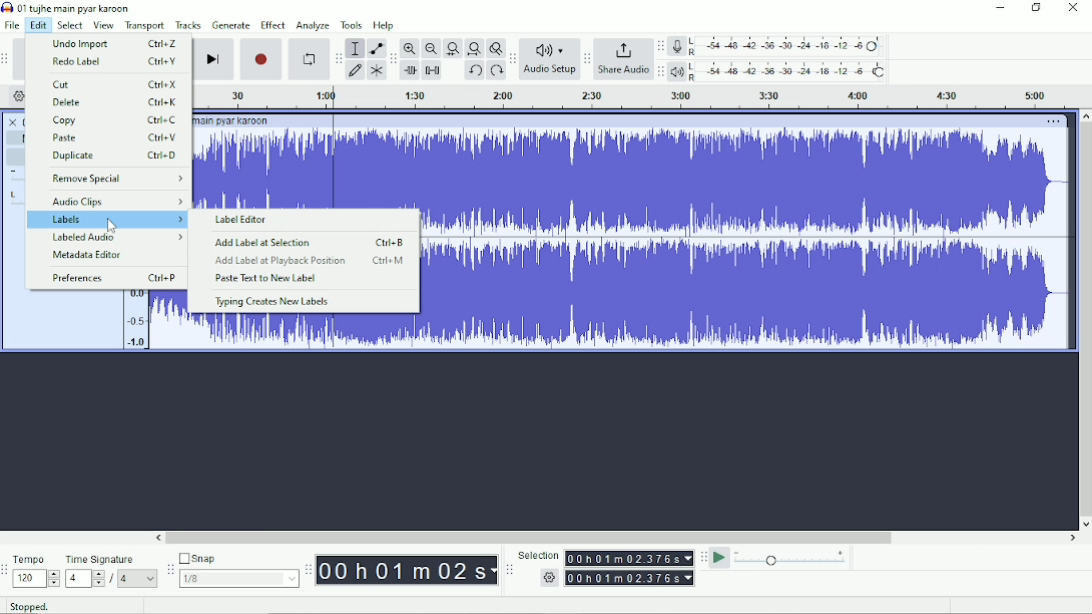  What do you see at coordinates (246, 220) in the screenshot?
I see `Label Editor` at bounding box center [246, 220].